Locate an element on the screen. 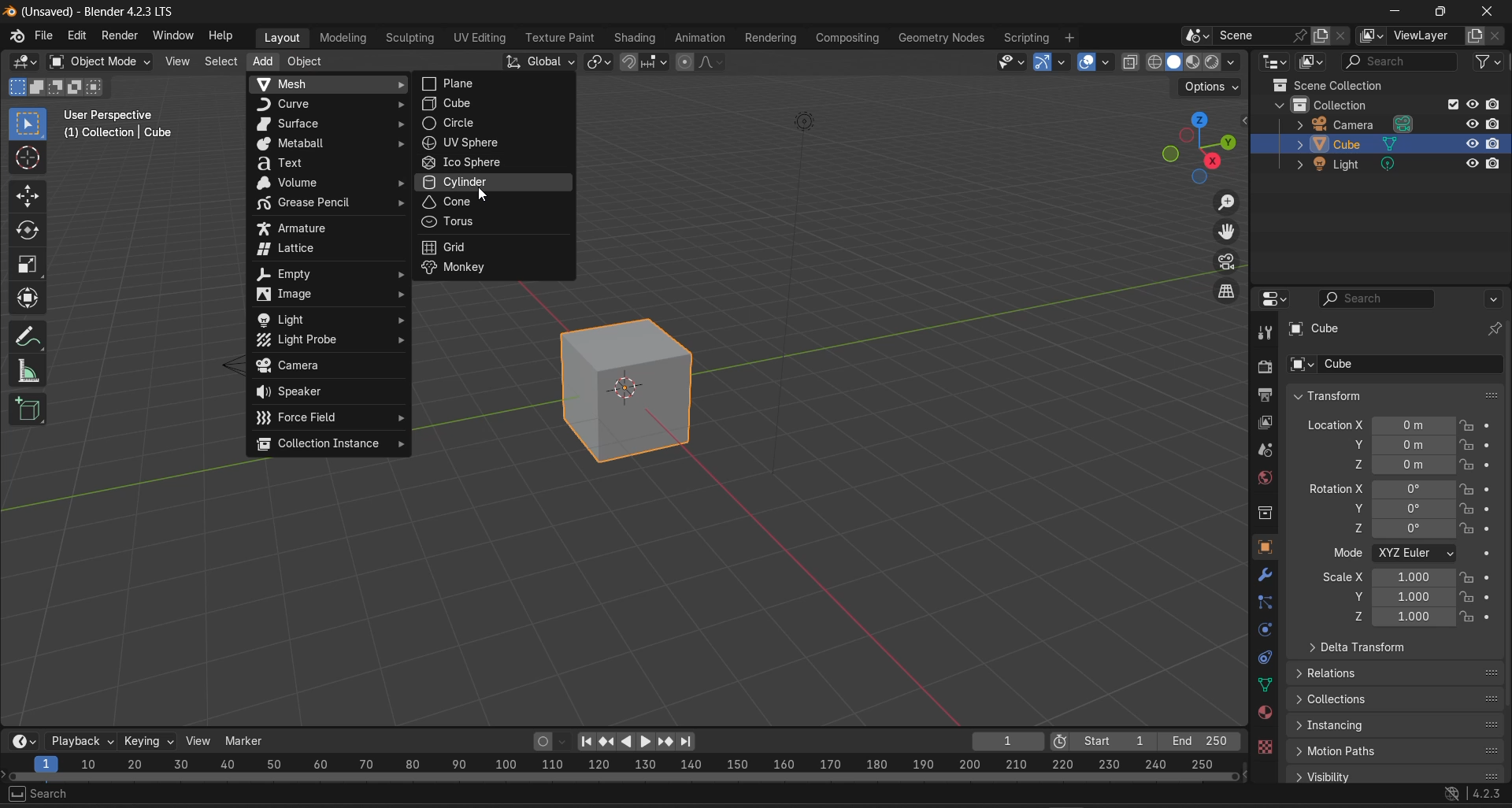 The width and height of the screenshot is (1512, 808). surface is located at coordinates (331, 124).